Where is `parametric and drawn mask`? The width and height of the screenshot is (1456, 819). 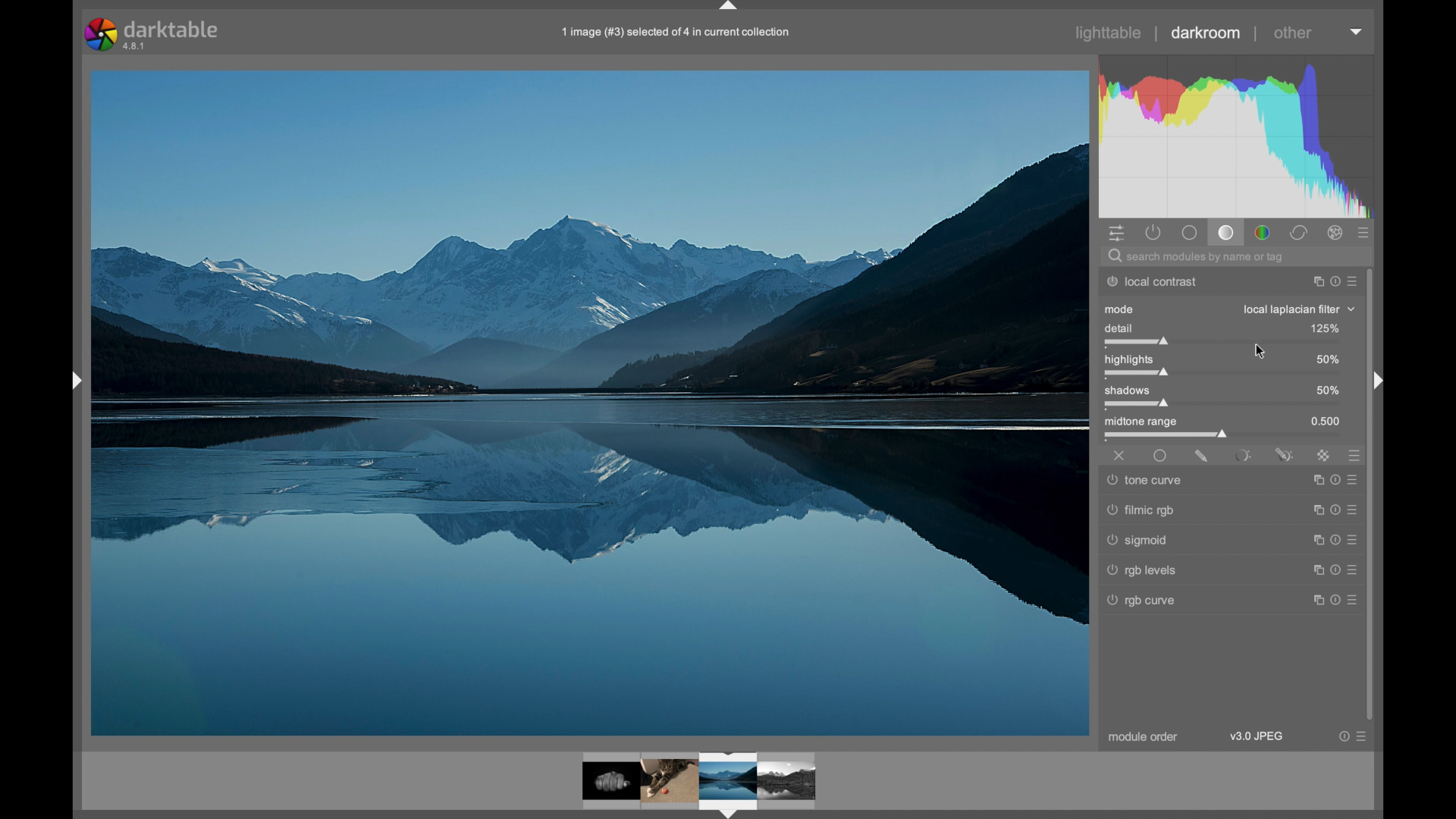
parametric and drawn mask is located at coordinates (1284, 455).